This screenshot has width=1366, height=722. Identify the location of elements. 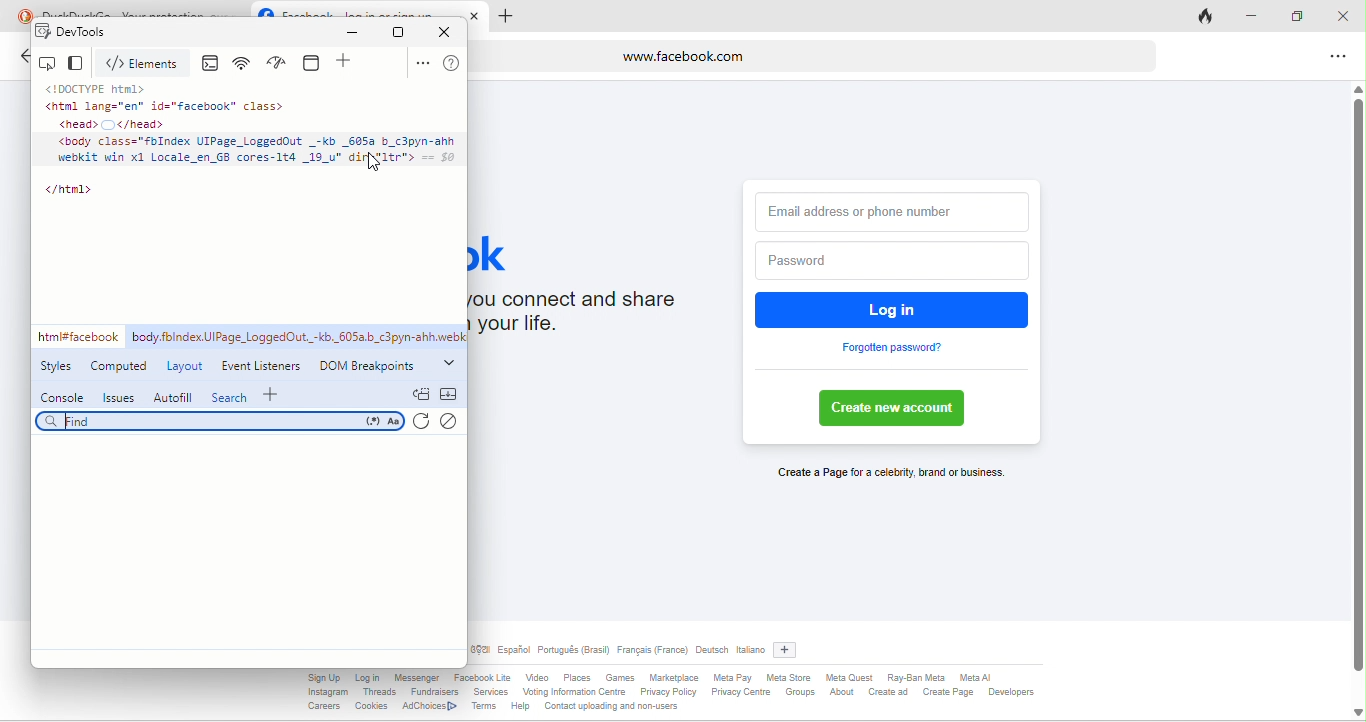
(146, 64).